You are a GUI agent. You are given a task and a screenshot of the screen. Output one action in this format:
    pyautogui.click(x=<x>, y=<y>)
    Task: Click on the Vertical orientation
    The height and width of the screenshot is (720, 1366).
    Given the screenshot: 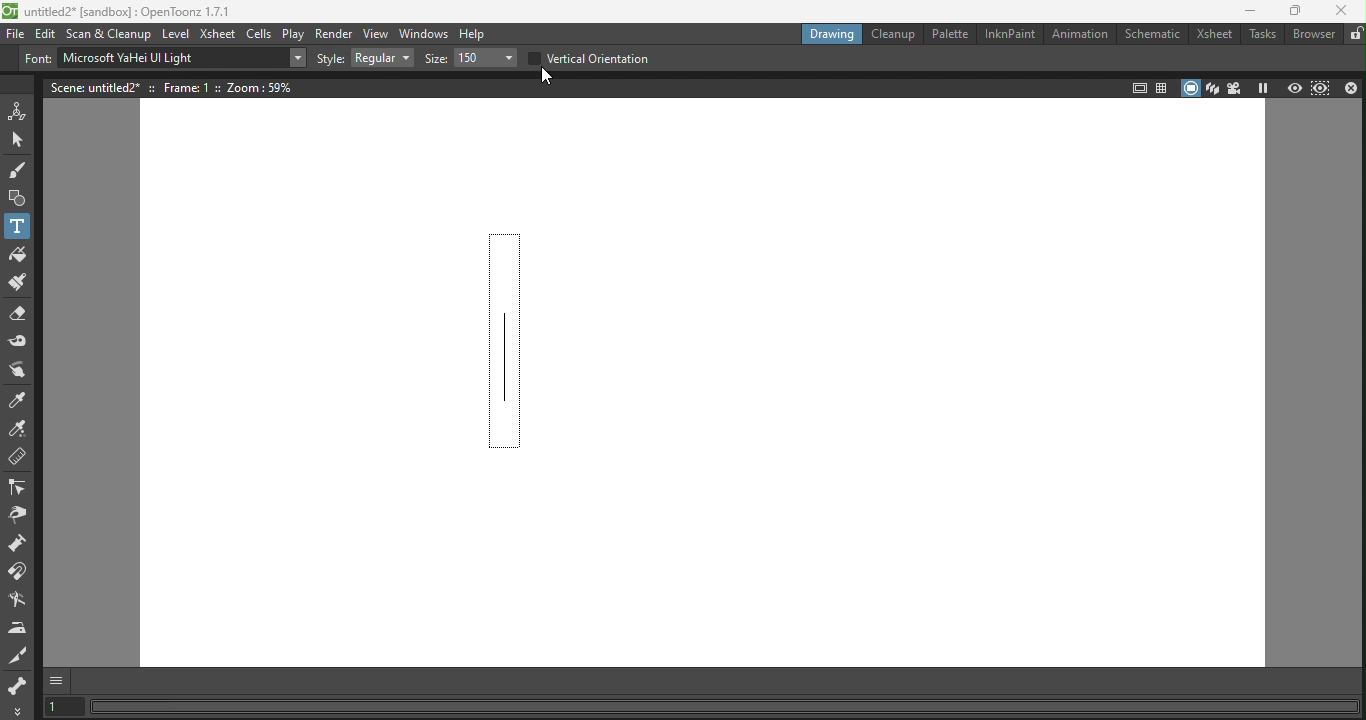 What is the action you would take?
    pyautogui.click(x=587, y=58)
    